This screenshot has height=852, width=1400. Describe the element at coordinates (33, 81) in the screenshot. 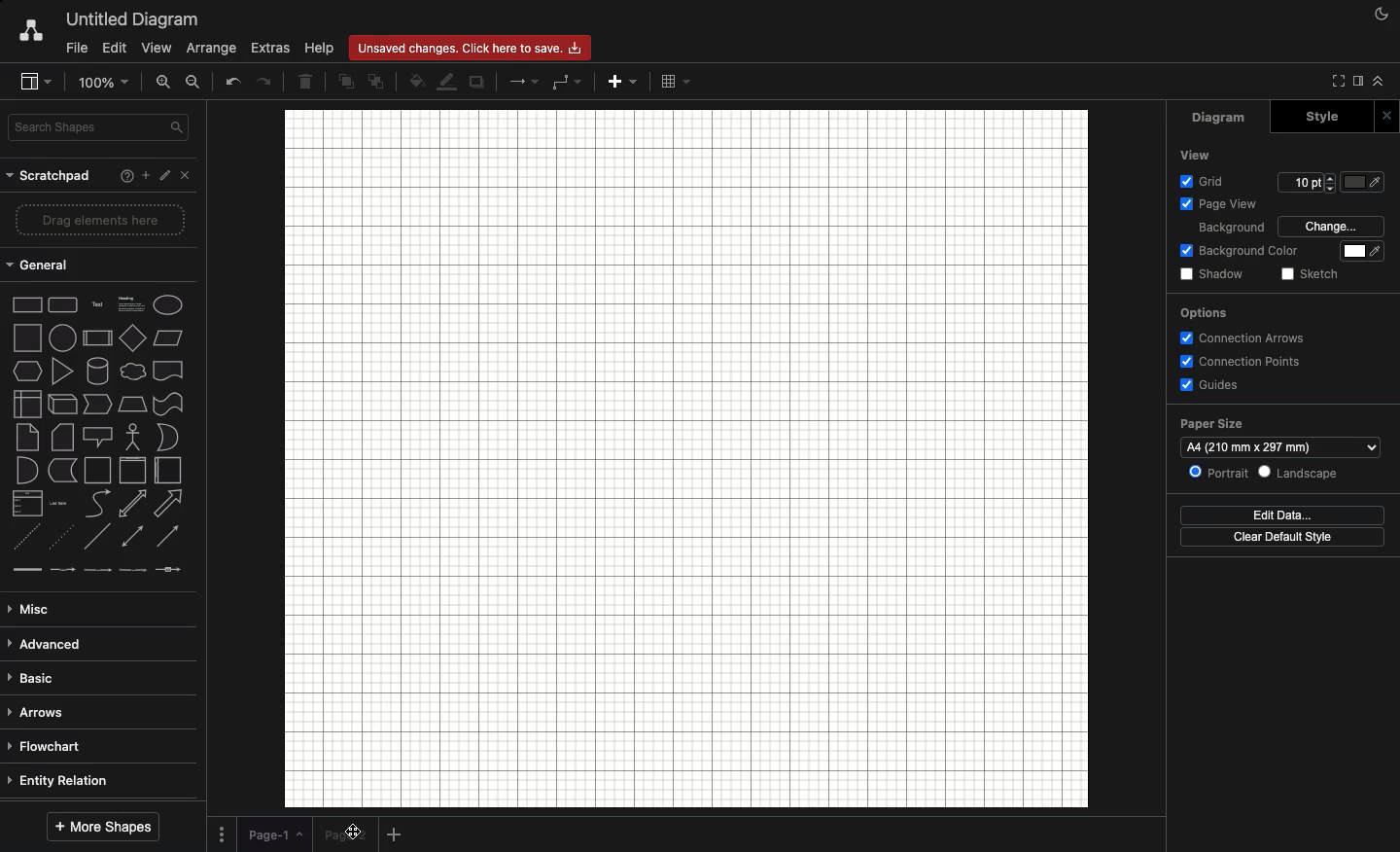

I see `Sidebar` at that location.